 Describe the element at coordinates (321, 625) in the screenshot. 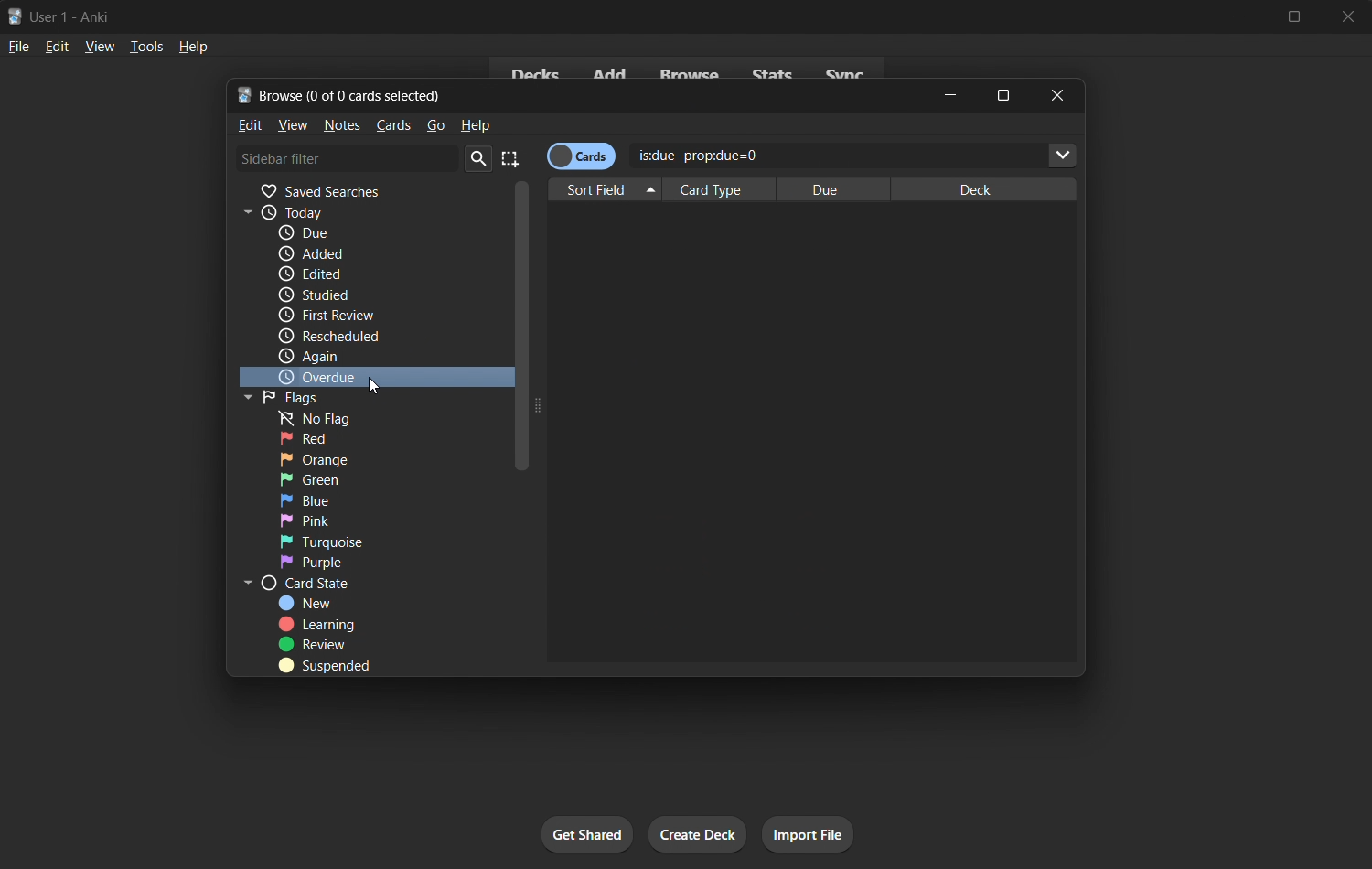

I see `learning` at that location.